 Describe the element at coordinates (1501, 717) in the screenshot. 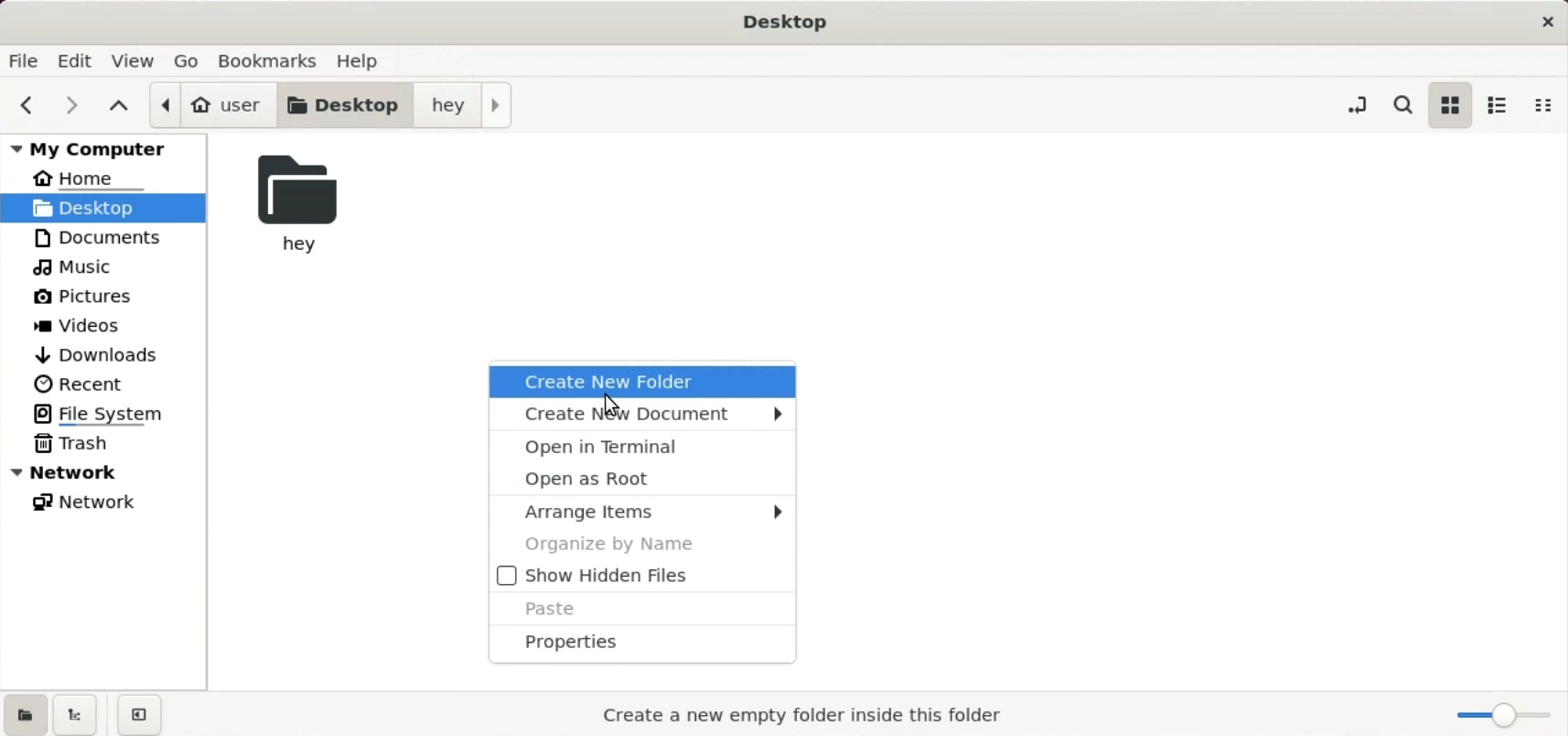

I see `zoom` at that location.